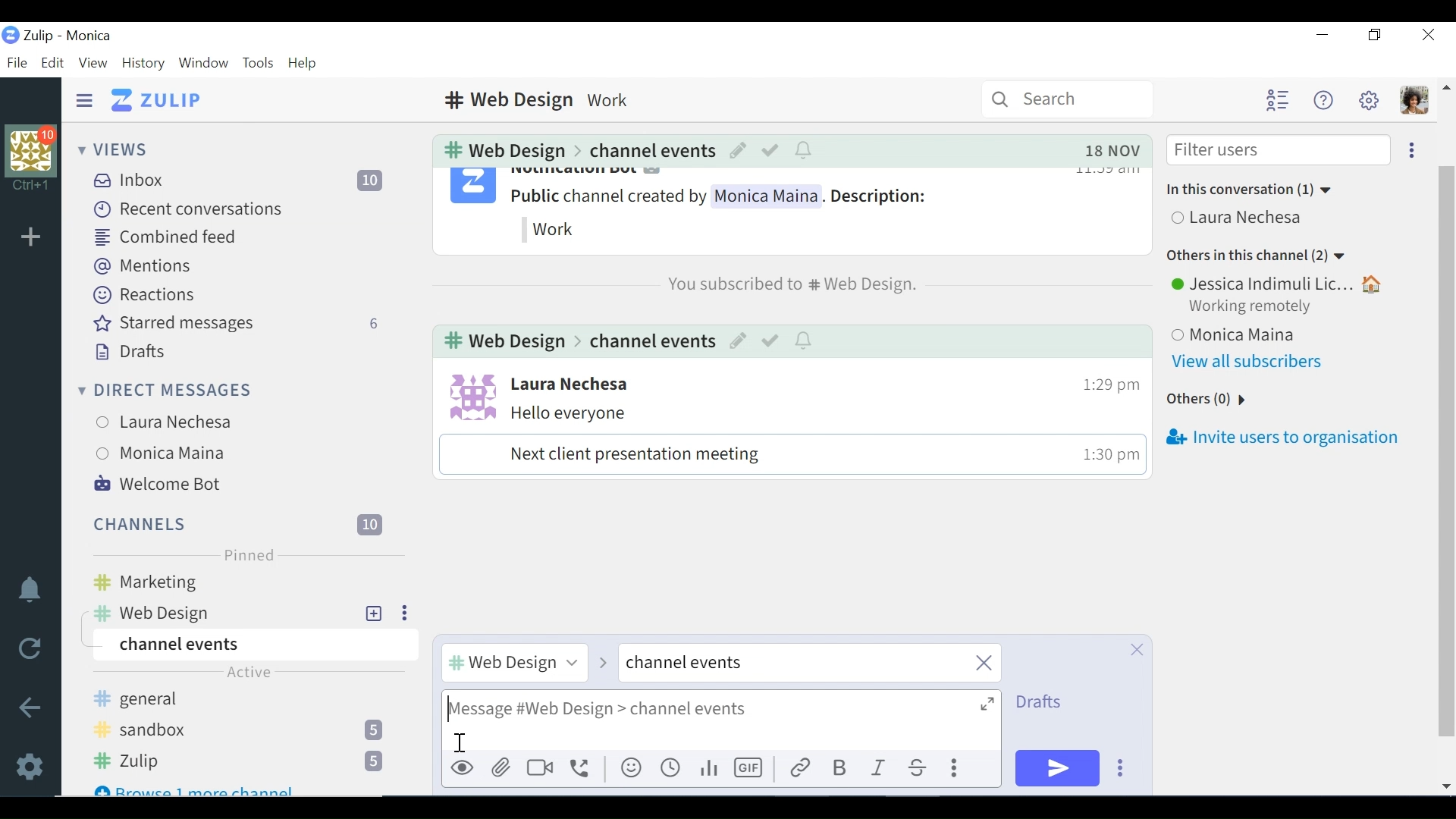 The height and width of the screenshot is (819, 1456). What do you see at coordinates (92, 61) in the screenshot?
I see `View` at bounding box center [92, 61].